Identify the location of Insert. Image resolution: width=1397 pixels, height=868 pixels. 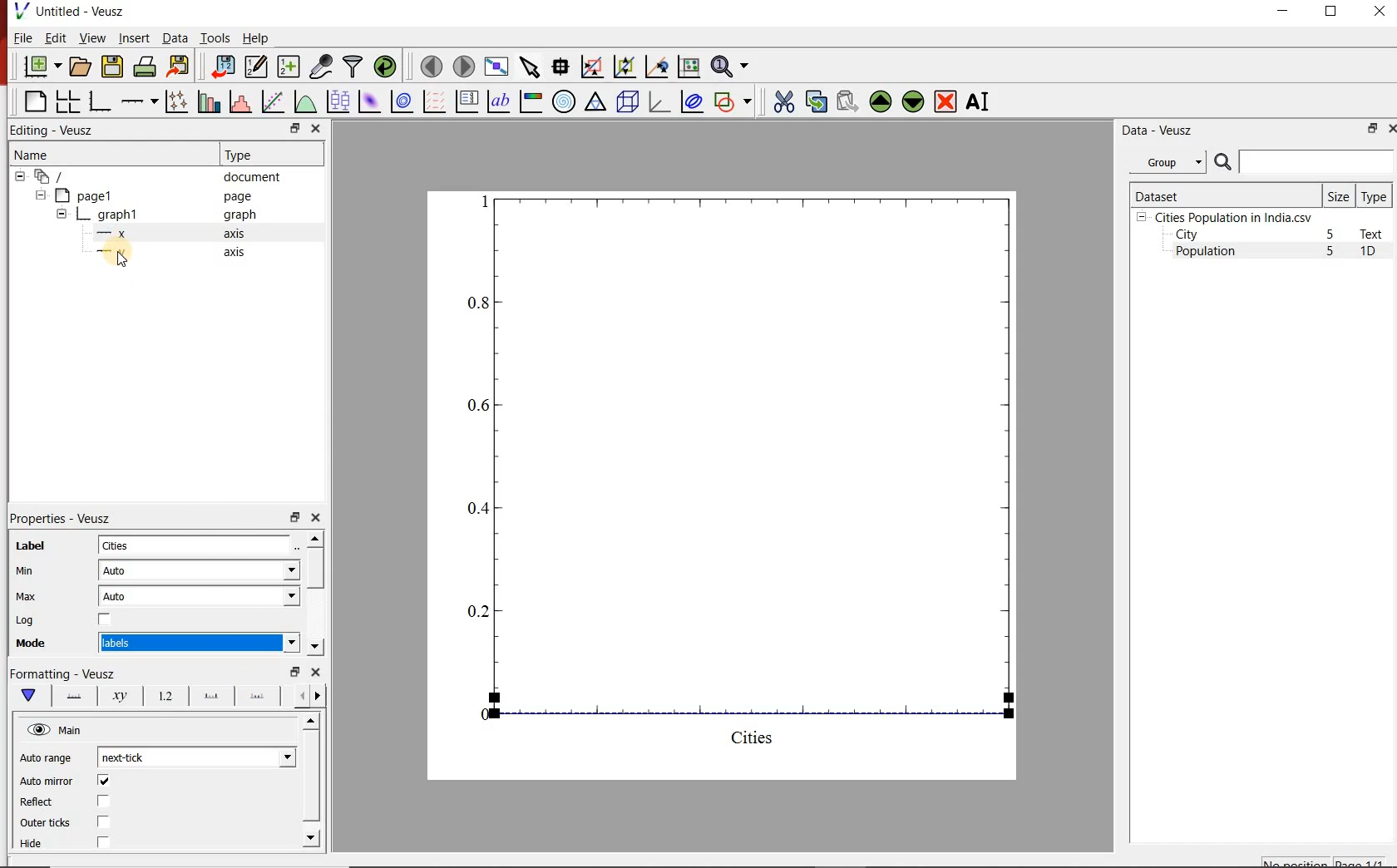
(133, 39).